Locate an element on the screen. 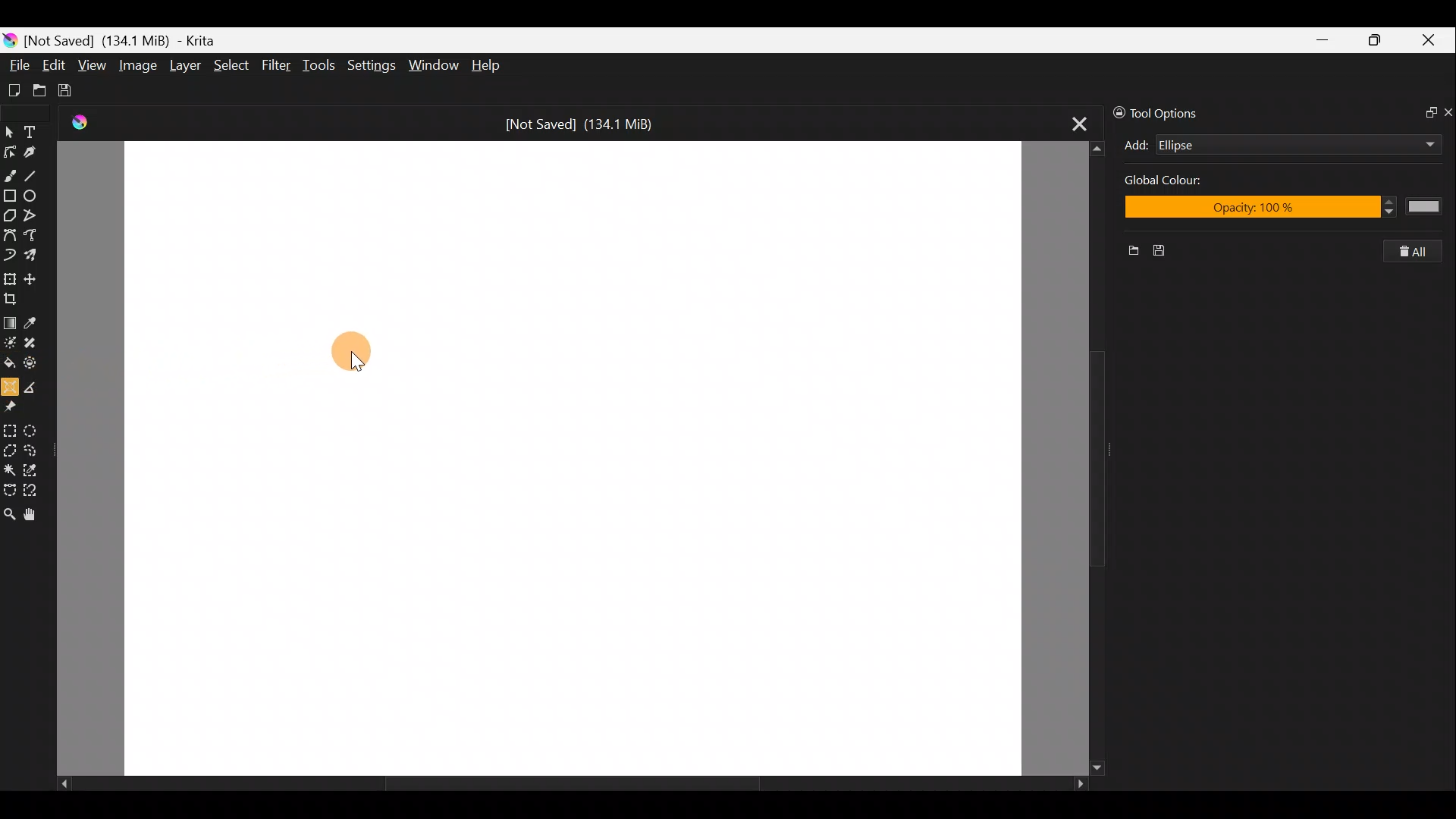 The image size is (1456, 819). Filter is located at coordinates (277, 67).